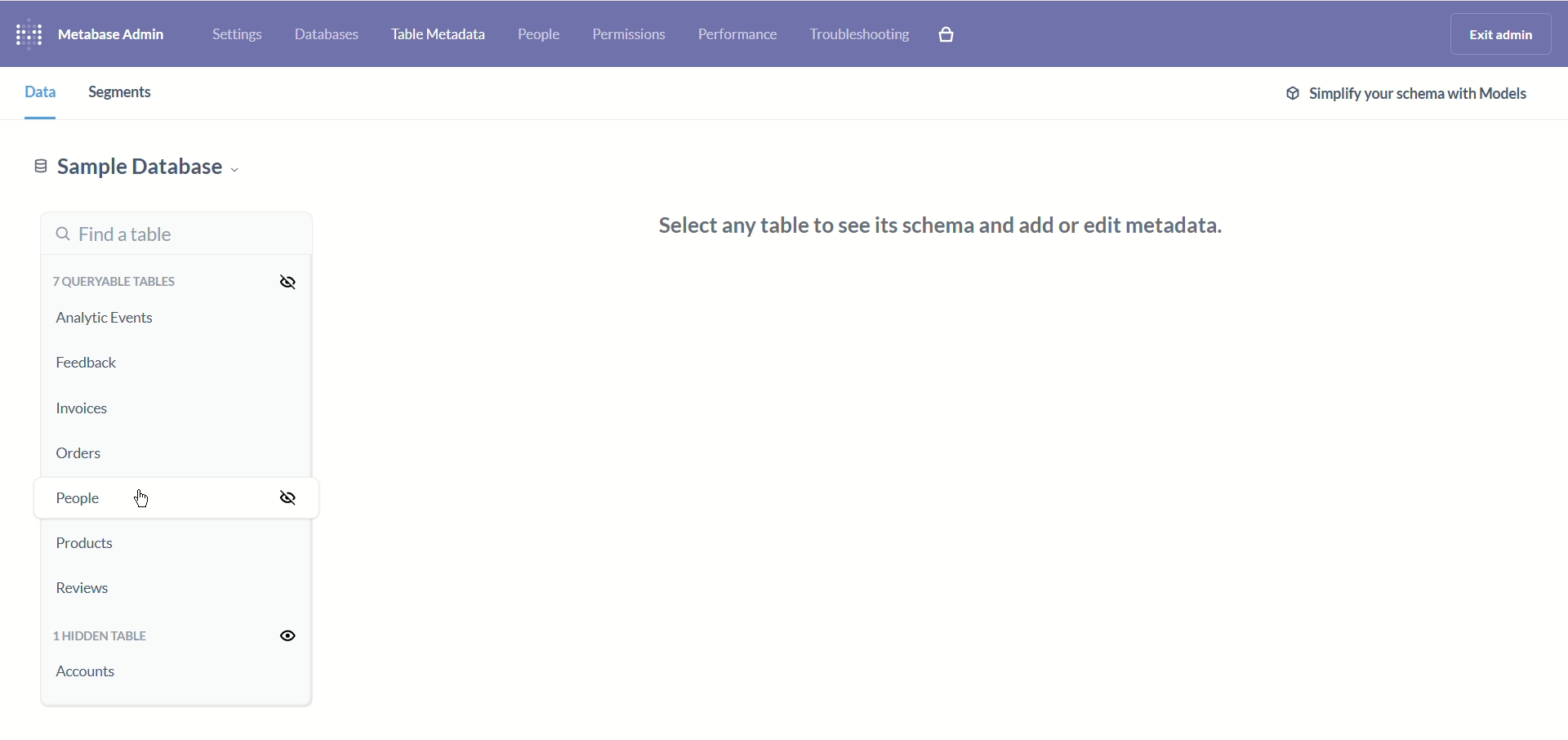  I want to click on Simplify tour schema with models, so click(1403, 93).